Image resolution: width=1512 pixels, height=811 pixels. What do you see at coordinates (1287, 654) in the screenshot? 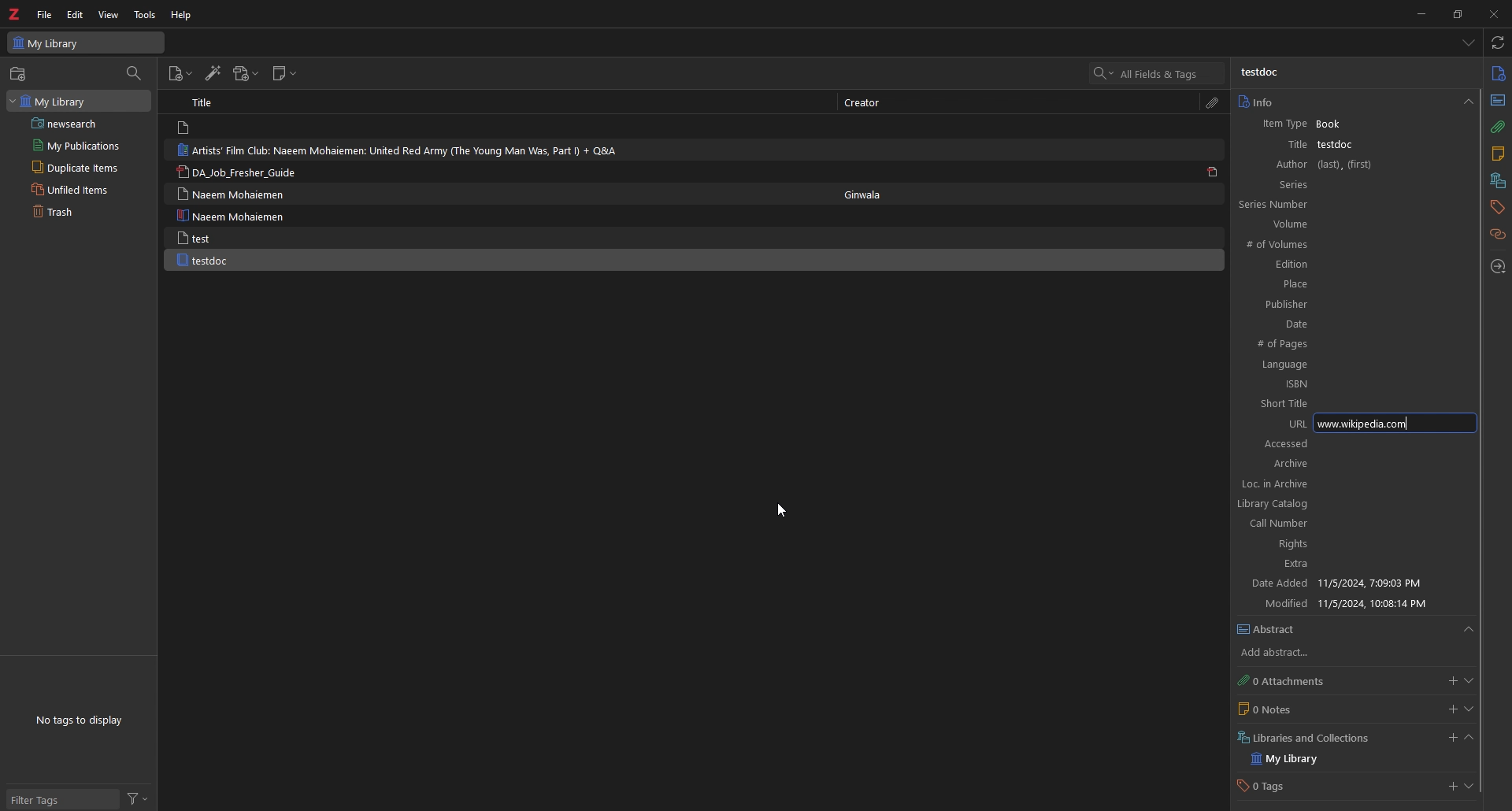
I see `add abstract` at bounding box center [1287, 654].